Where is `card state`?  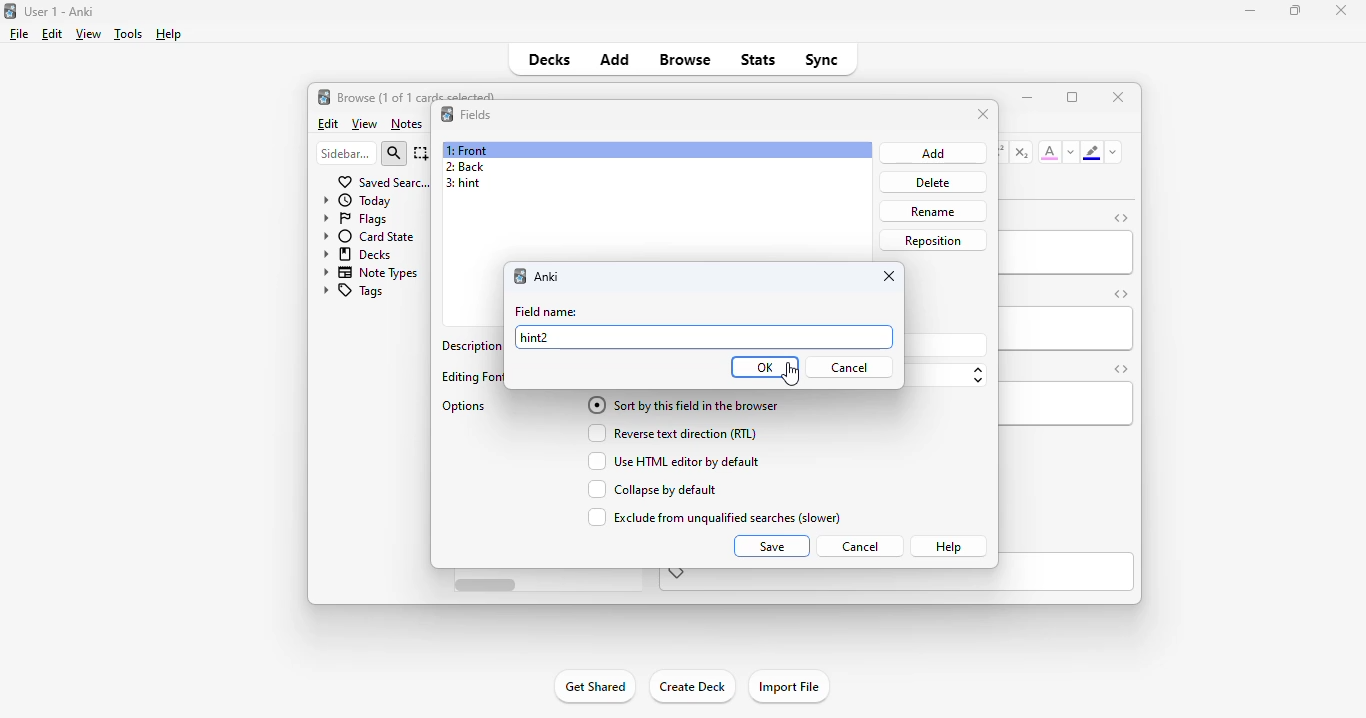
card state is located at coordinates (368, 236).